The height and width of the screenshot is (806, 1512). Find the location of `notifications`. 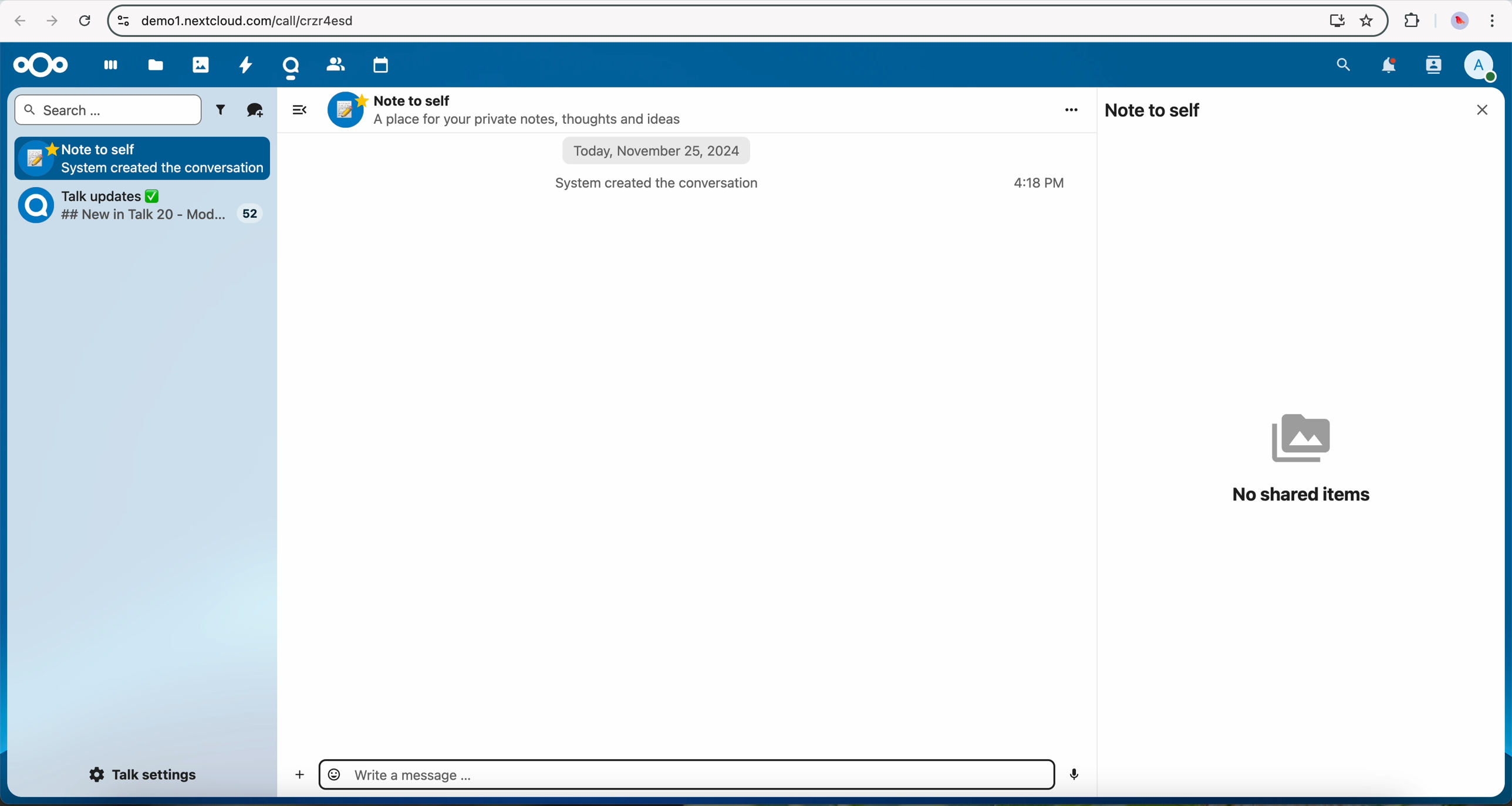

notifications is located at coordinates (1392, 67).